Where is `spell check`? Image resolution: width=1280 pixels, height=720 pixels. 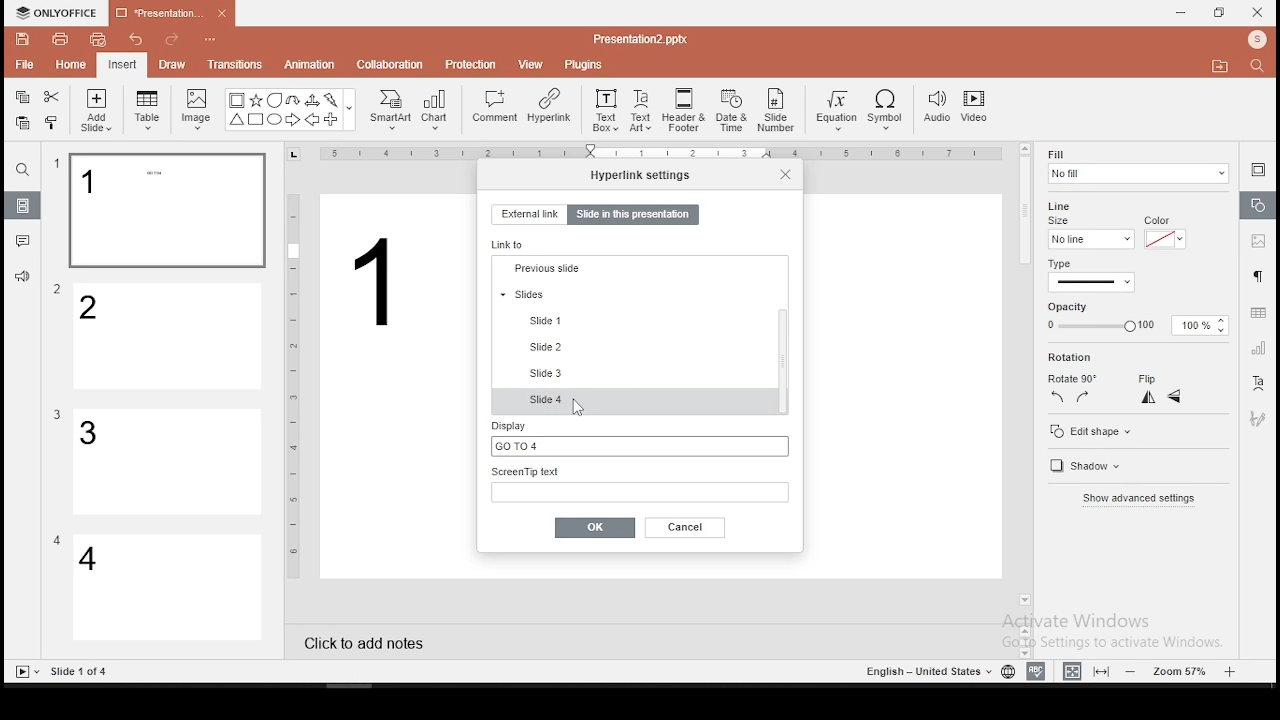 spell check is located at coordinates (1036, 671).